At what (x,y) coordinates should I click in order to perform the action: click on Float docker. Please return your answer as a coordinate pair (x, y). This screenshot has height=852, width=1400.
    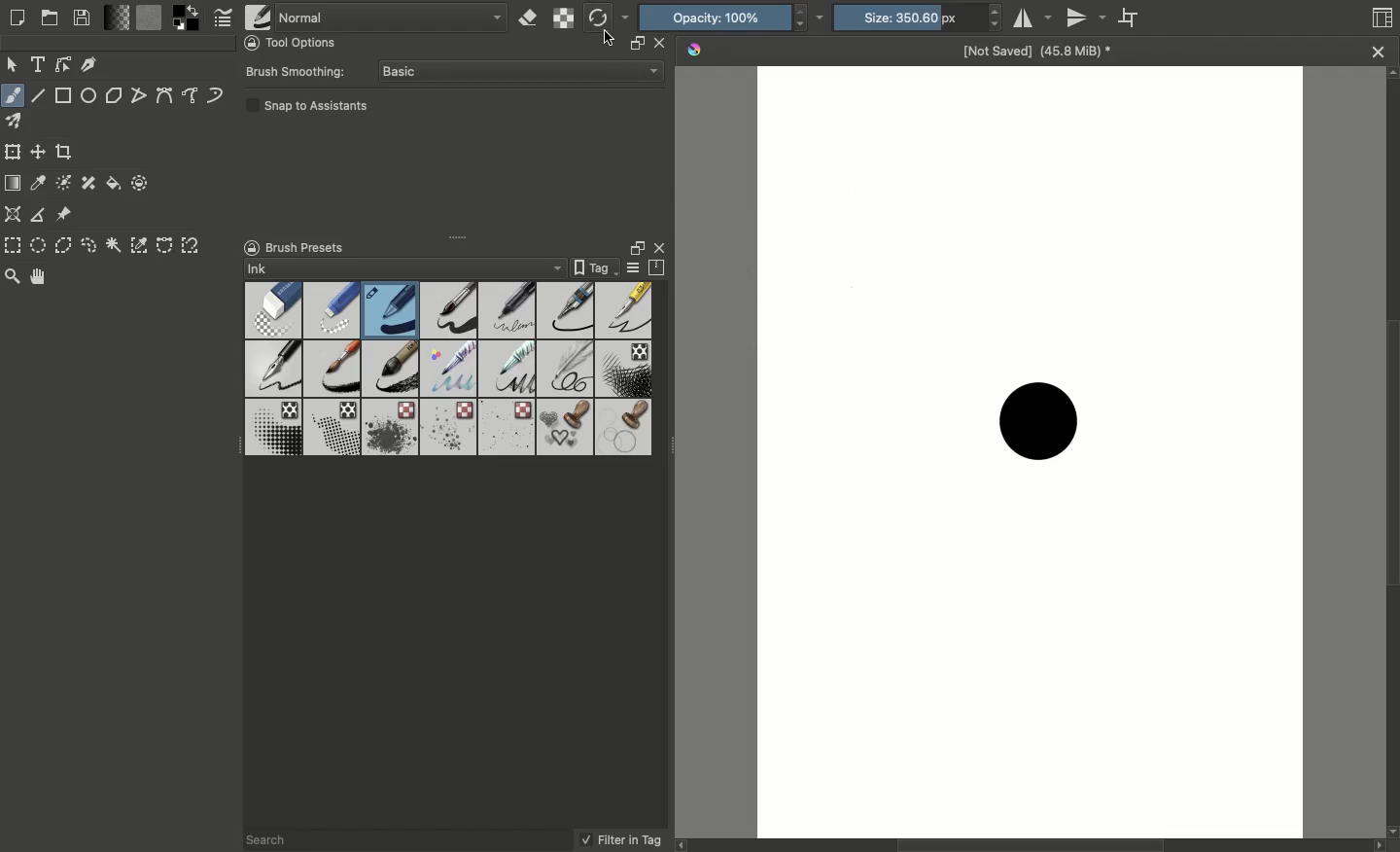
    Looking at the image, I should click on (634, 247).